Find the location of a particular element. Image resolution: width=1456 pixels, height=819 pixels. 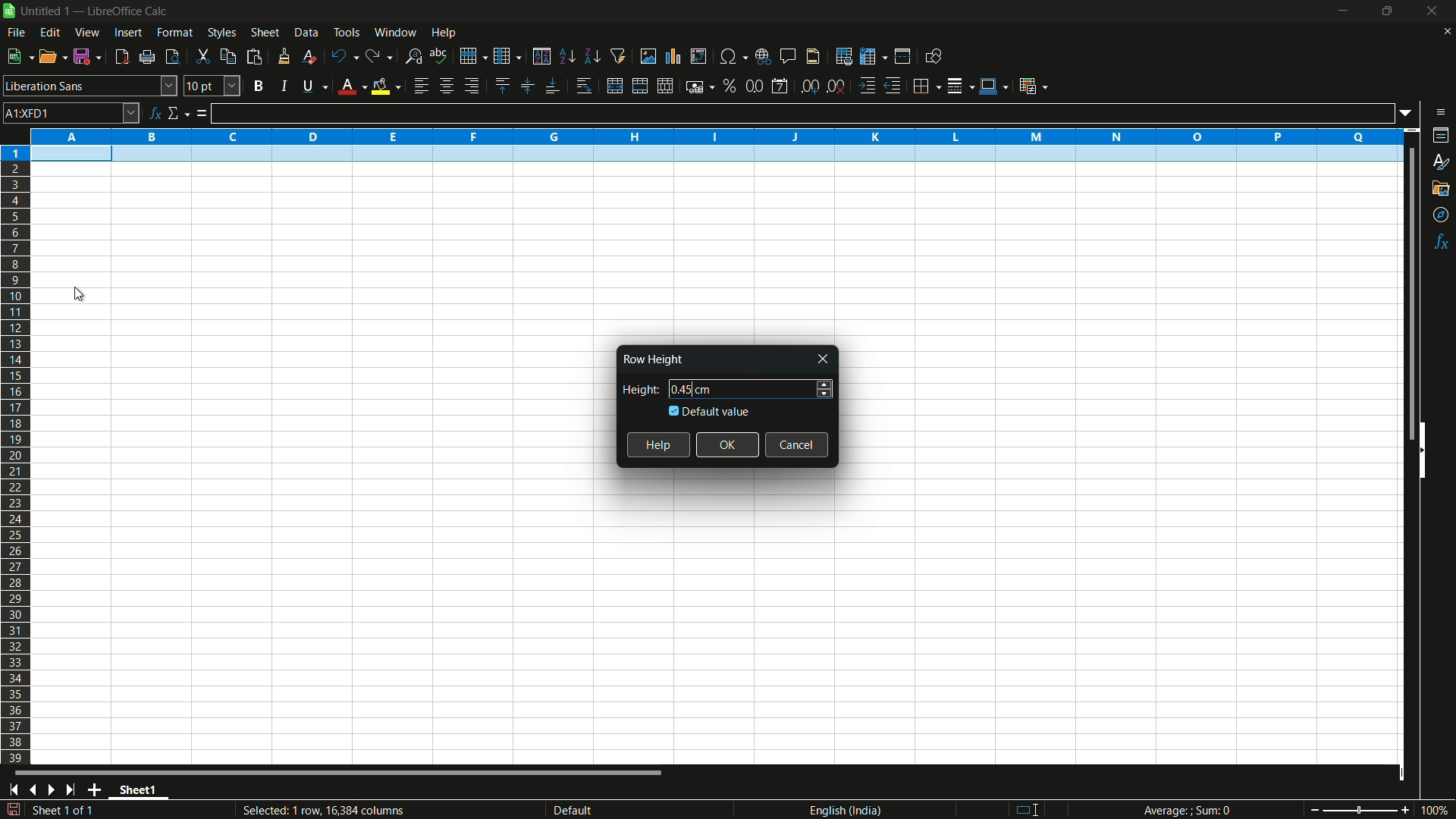

center vertically is located at coordinates (526, 86).